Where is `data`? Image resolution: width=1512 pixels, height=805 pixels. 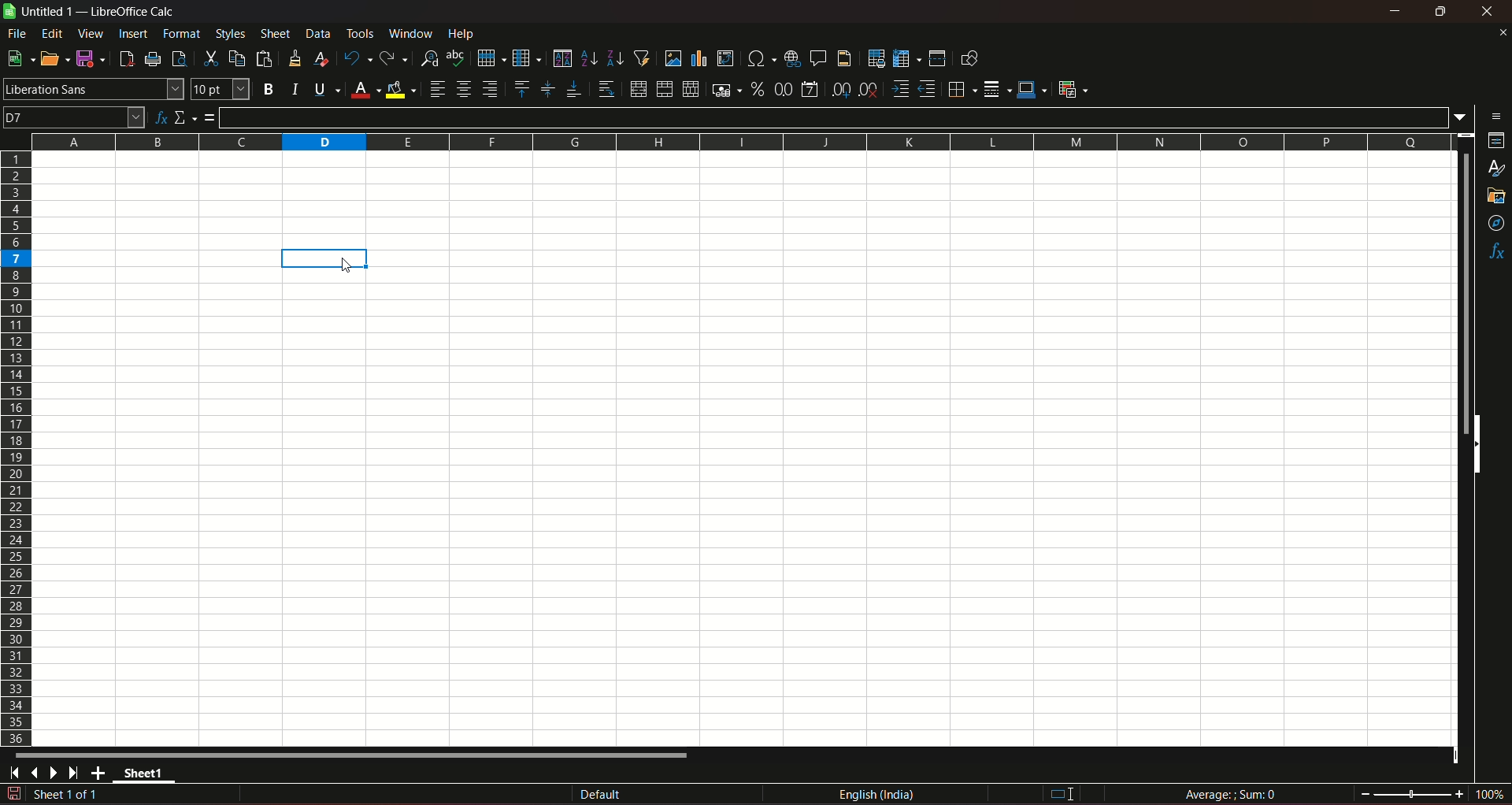
data is located at coordinates (318, 33).